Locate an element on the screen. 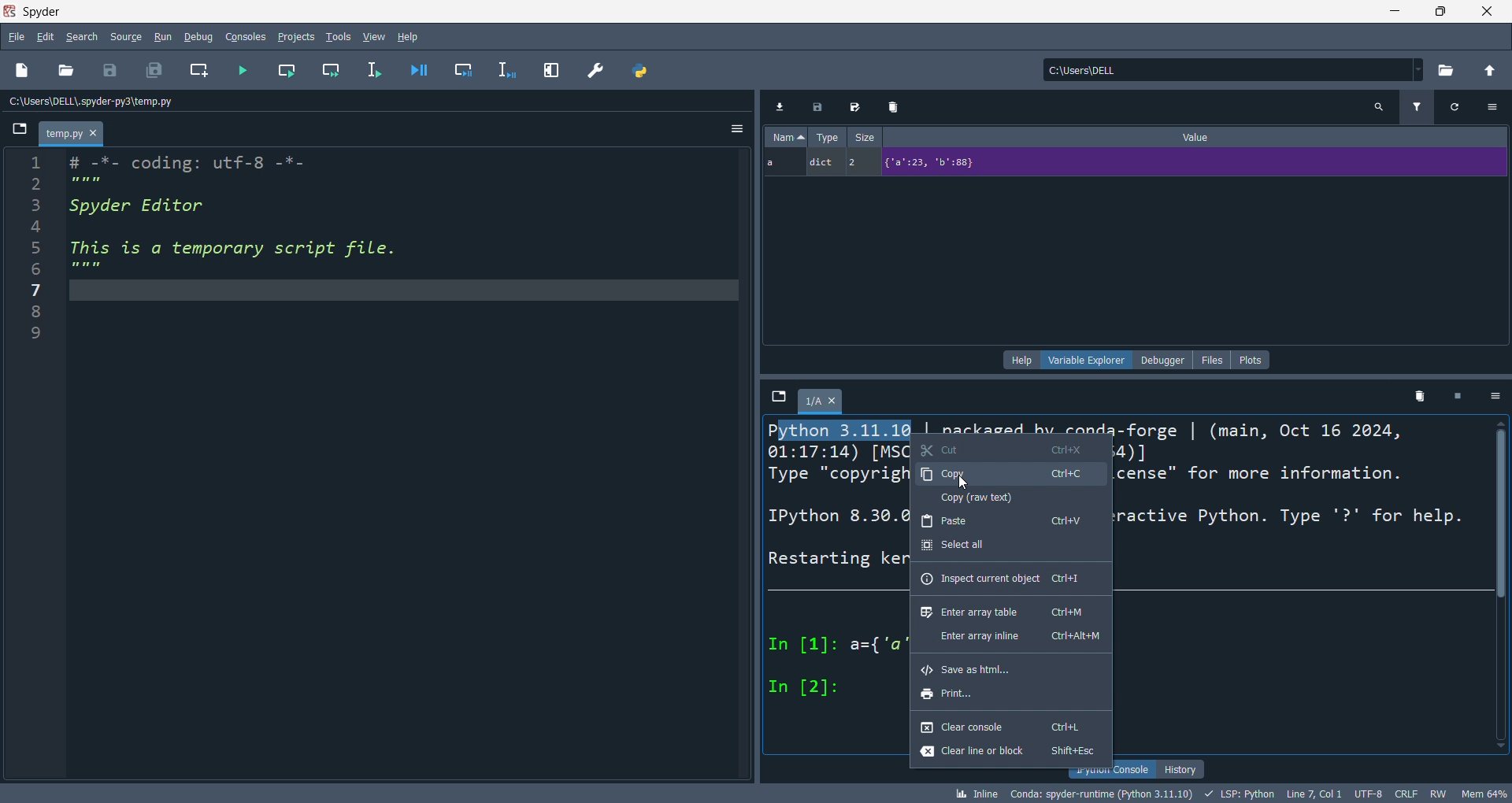  inline is located at coordinates (974, 794).